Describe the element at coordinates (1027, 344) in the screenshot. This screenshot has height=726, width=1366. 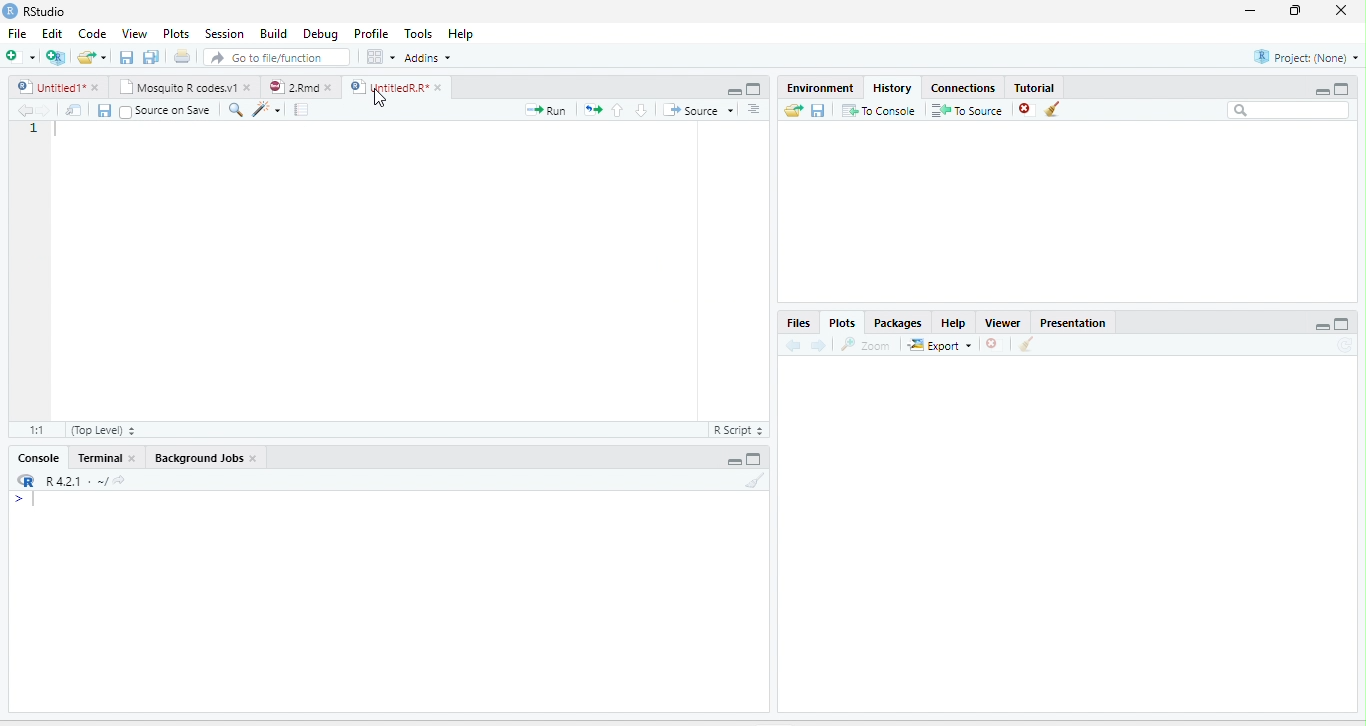
I see `Clear all plots` at that location.